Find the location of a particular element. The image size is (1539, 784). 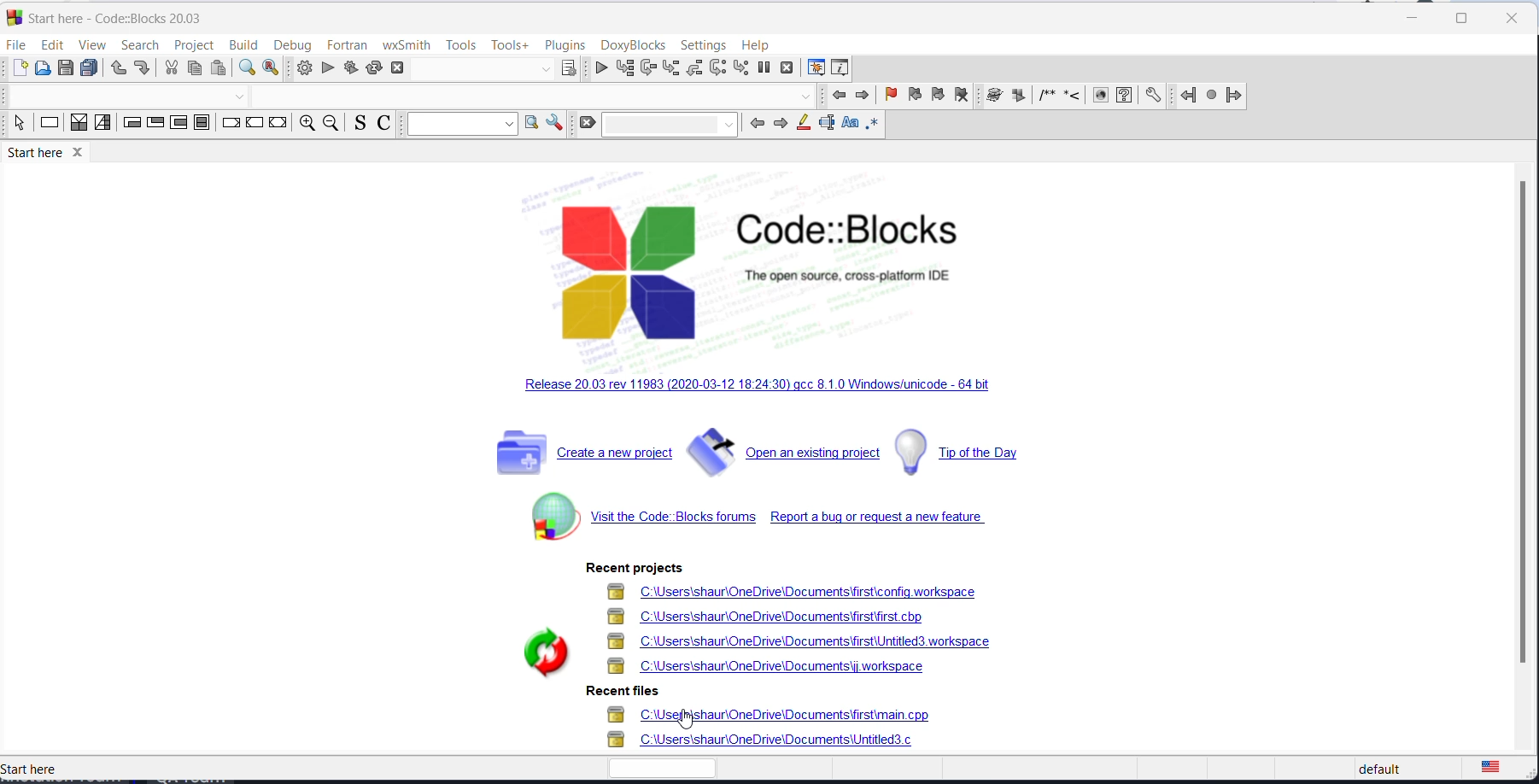

selected text is located at coordinates (826, 125).